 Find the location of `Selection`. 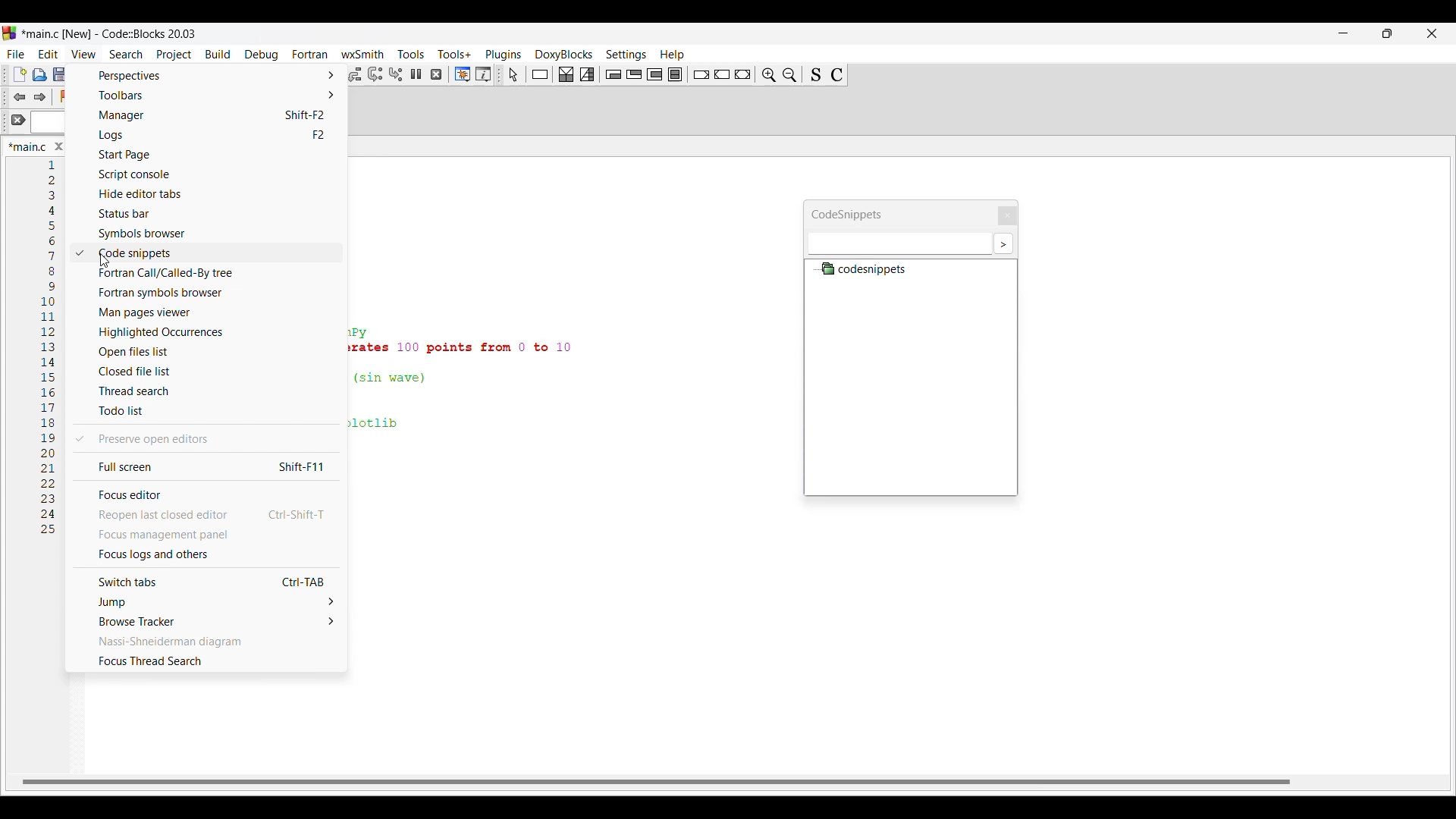

Selection is located at coordinates (587, 74).